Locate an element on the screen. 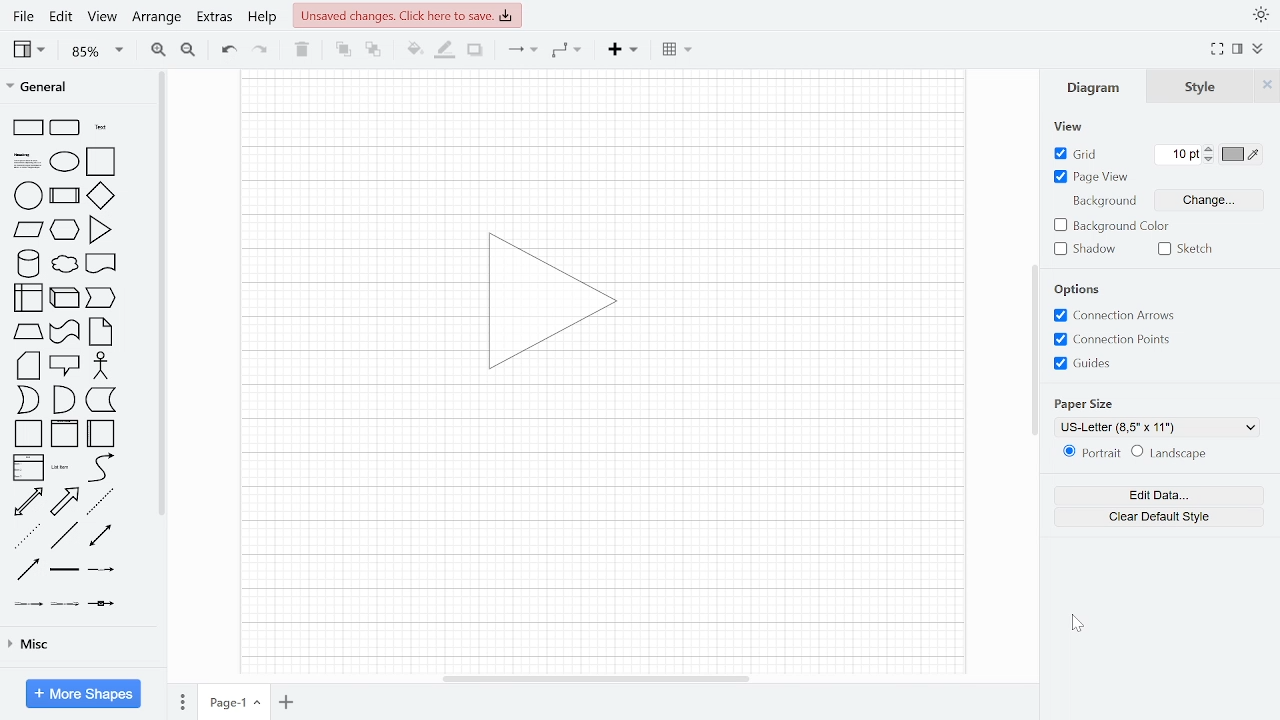  Undo is located at coordinates (228, 51).